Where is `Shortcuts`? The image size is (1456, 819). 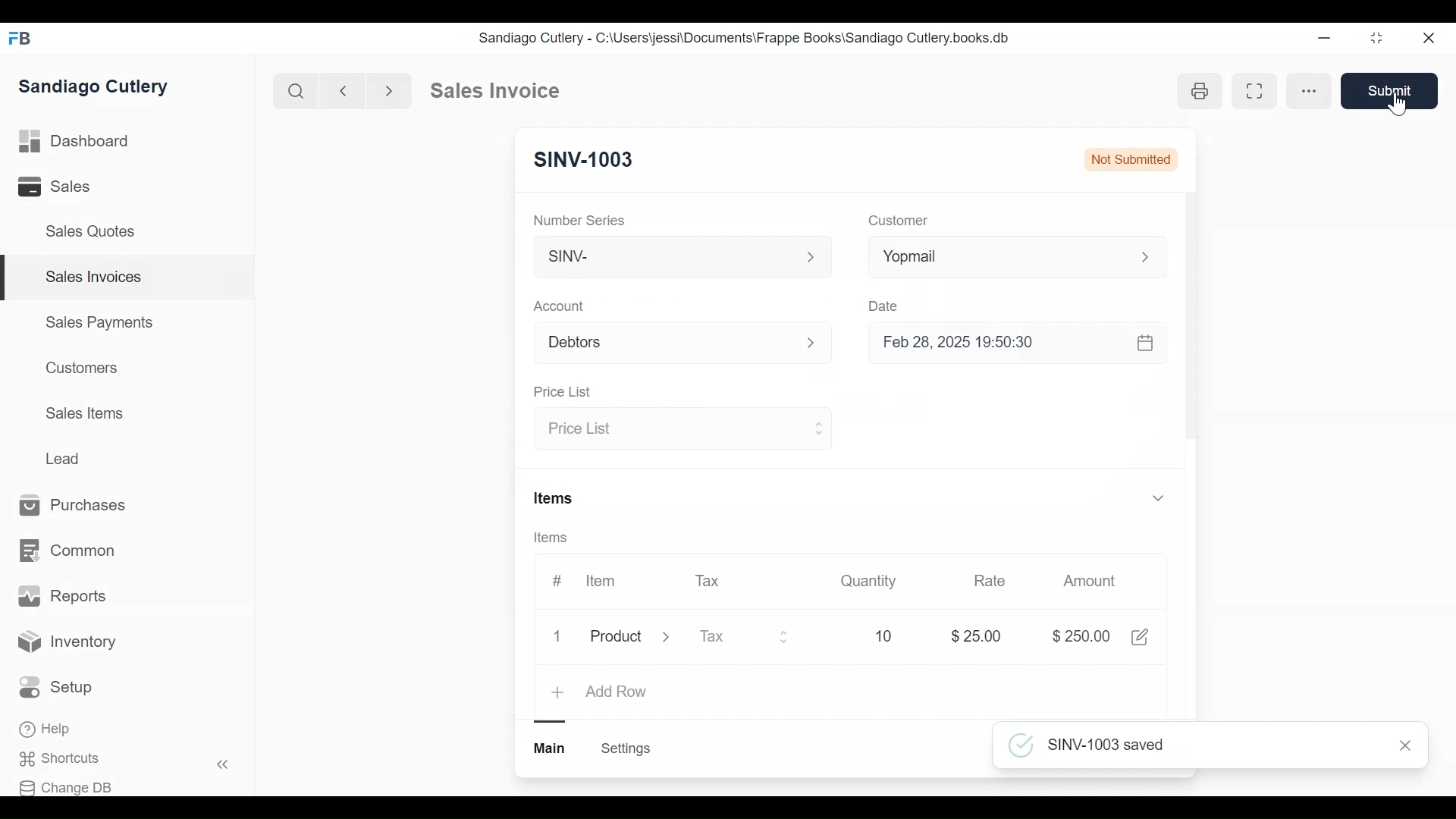 Shortcuts is located at coordinates (65, 759).